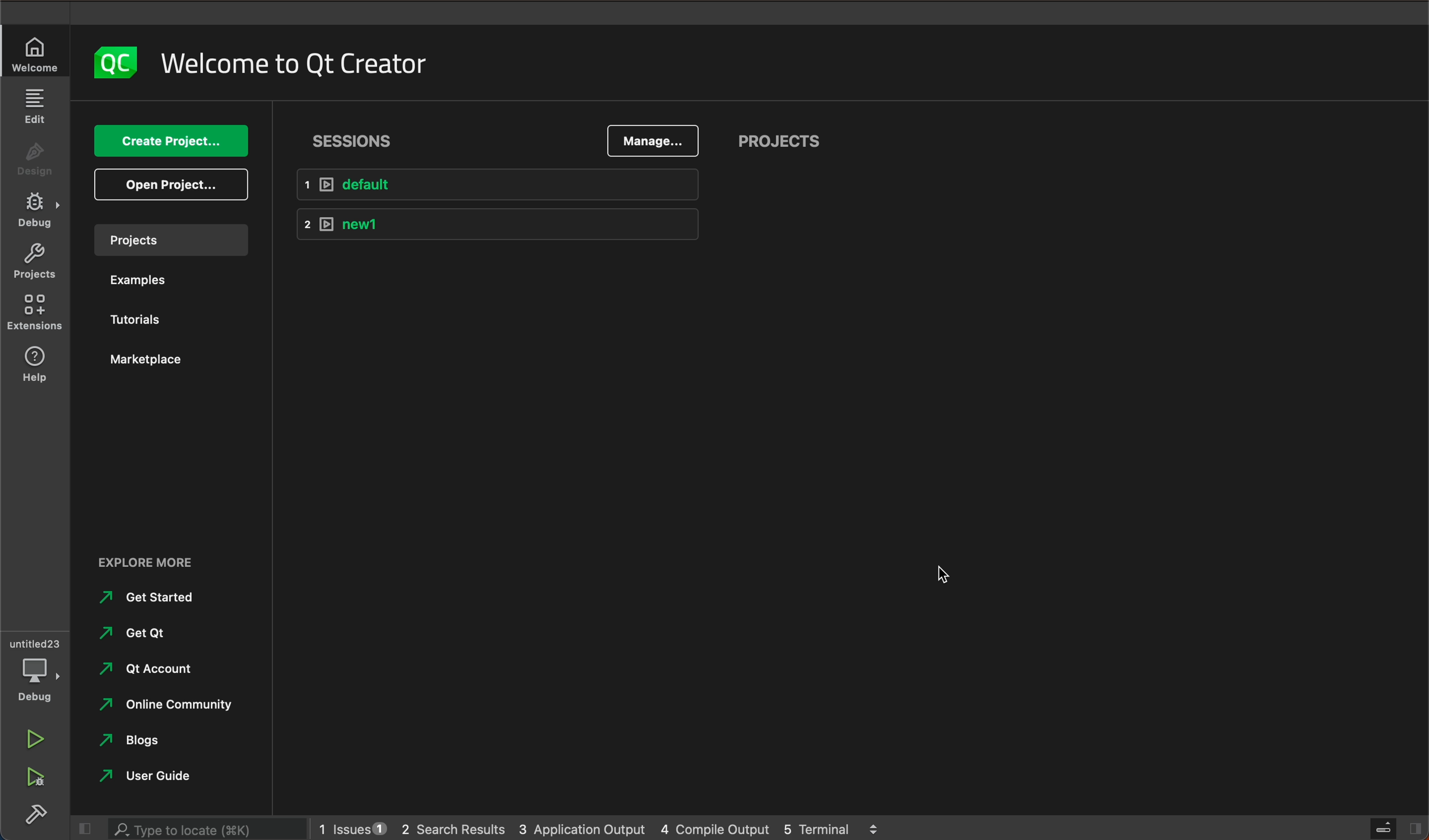  Describe the element at coordinates (715, 827) in the screenshot. I see `compile output` at that location.